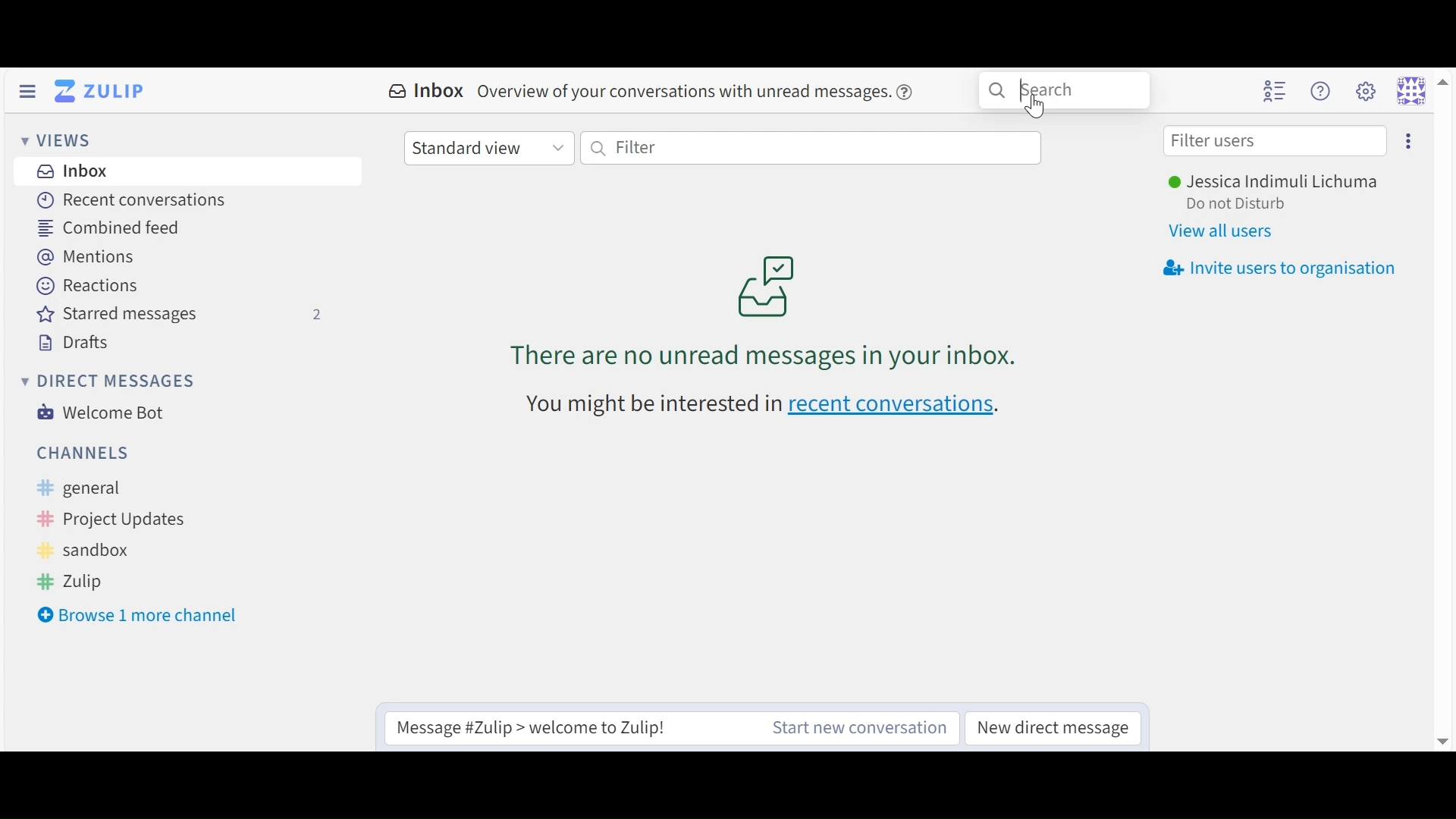 The width and height of the screenshot is (1456, 819). Describe the element at coordinates (1241, 204) in the screenshot. I see `Set Status` at that location.